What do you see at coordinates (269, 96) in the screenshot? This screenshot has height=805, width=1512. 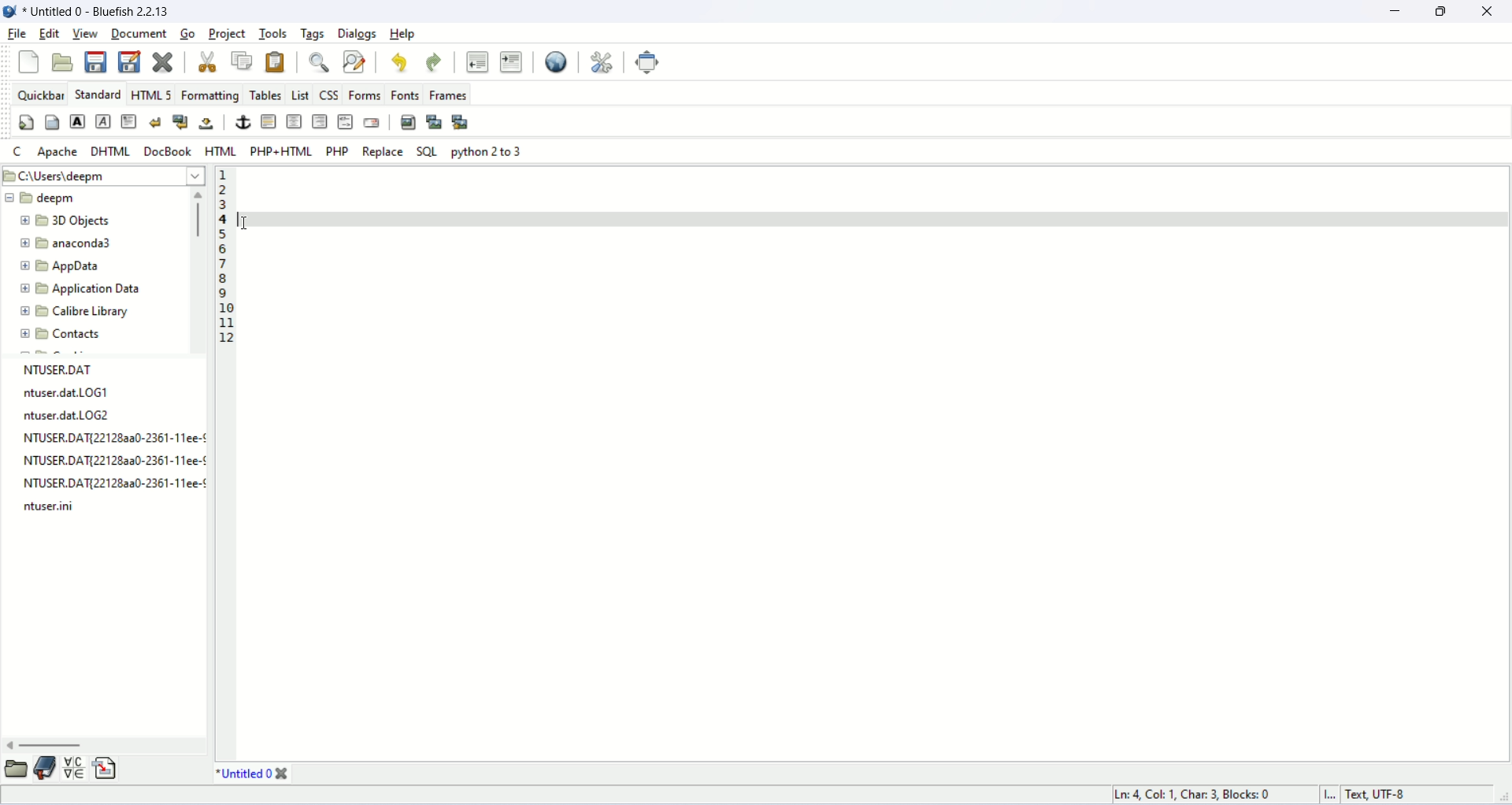 I see `tables` at bounding box center [269, 96].